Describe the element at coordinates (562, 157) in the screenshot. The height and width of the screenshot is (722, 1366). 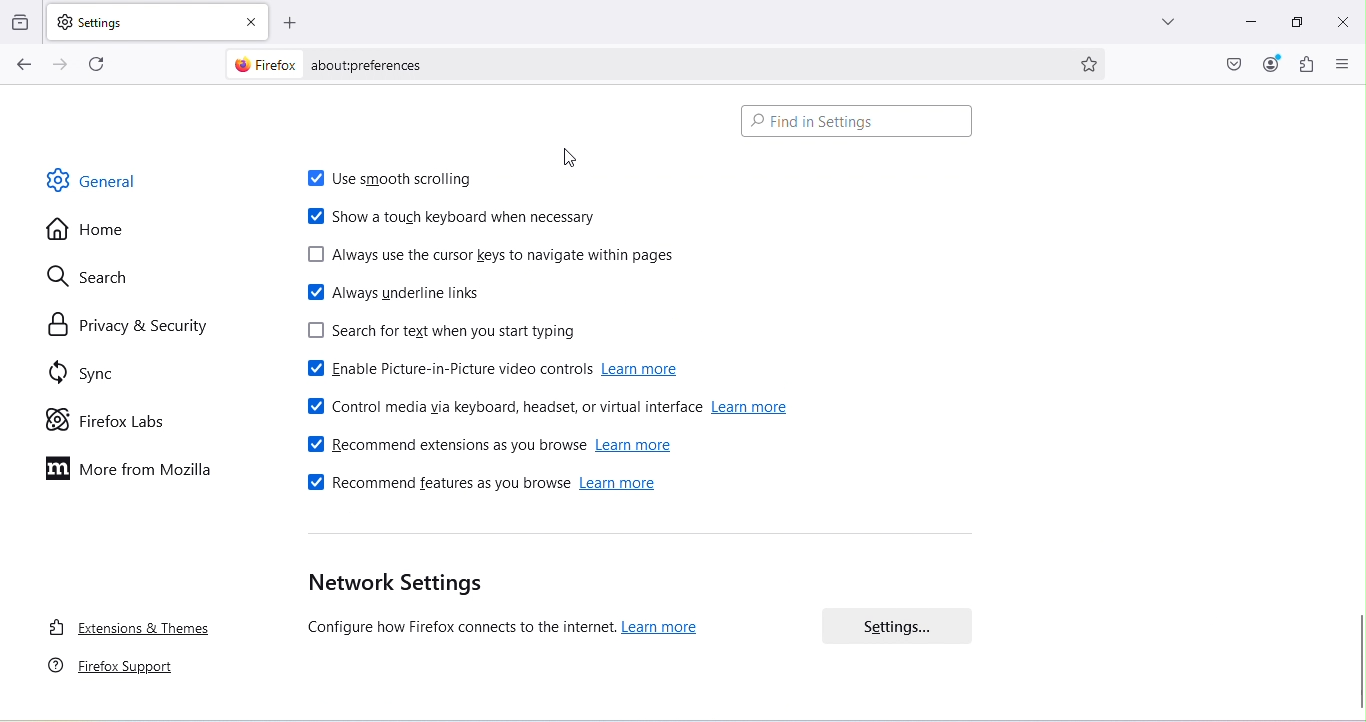
I see `Cursor` at that location.